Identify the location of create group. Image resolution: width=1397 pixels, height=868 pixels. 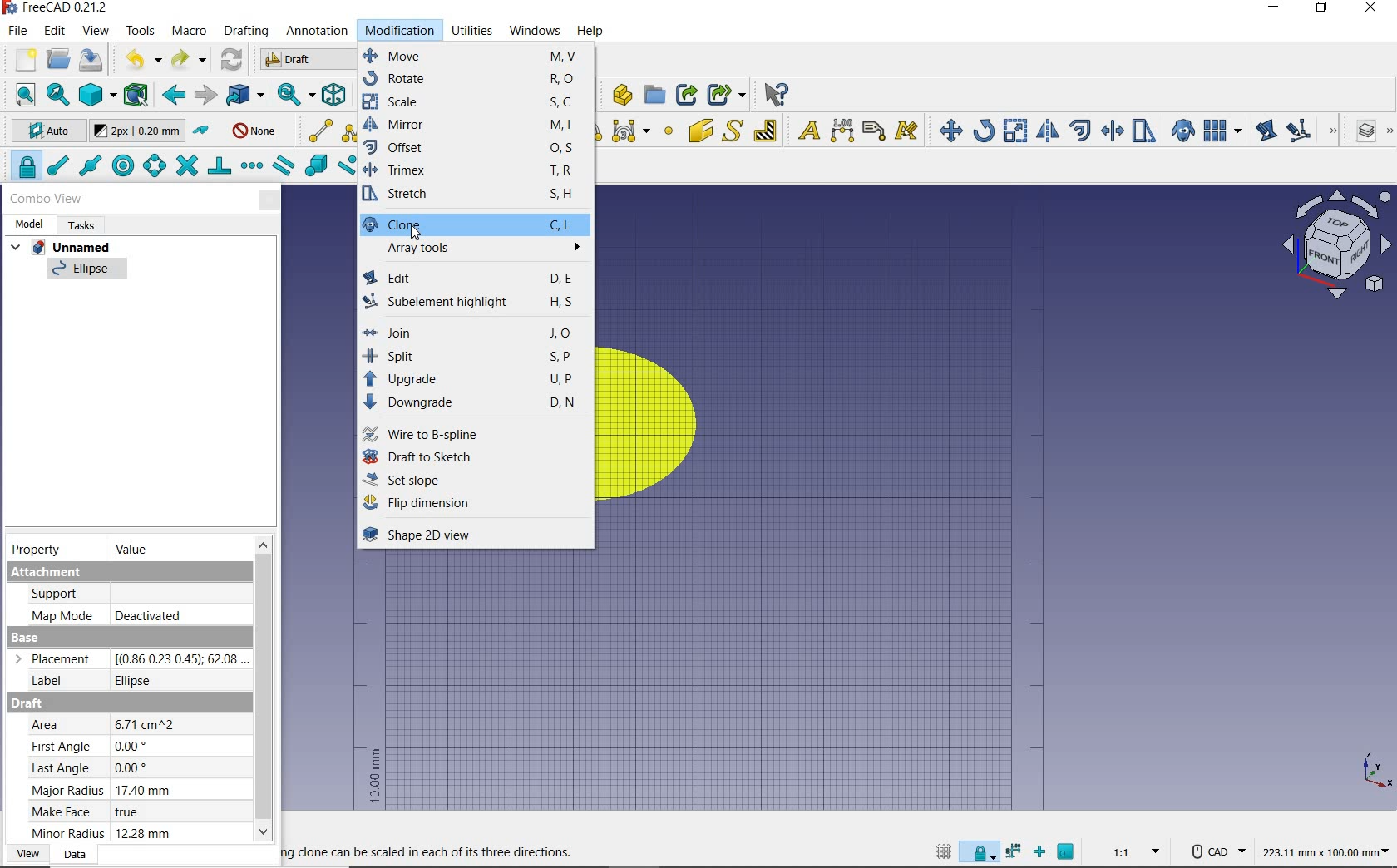
(655, 96).